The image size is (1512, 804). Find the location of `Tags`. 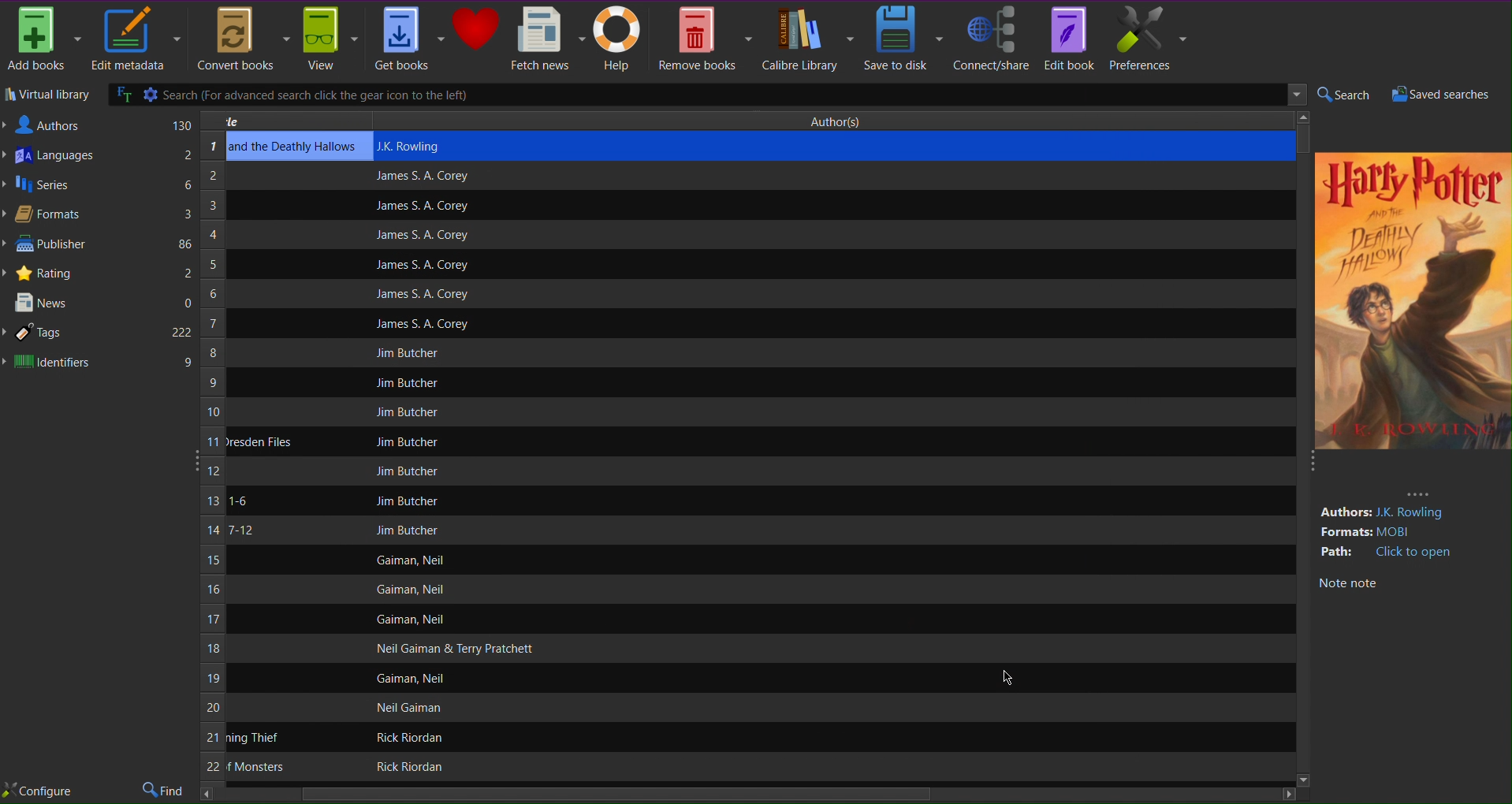

Tags is located at coordinates (99, 333).